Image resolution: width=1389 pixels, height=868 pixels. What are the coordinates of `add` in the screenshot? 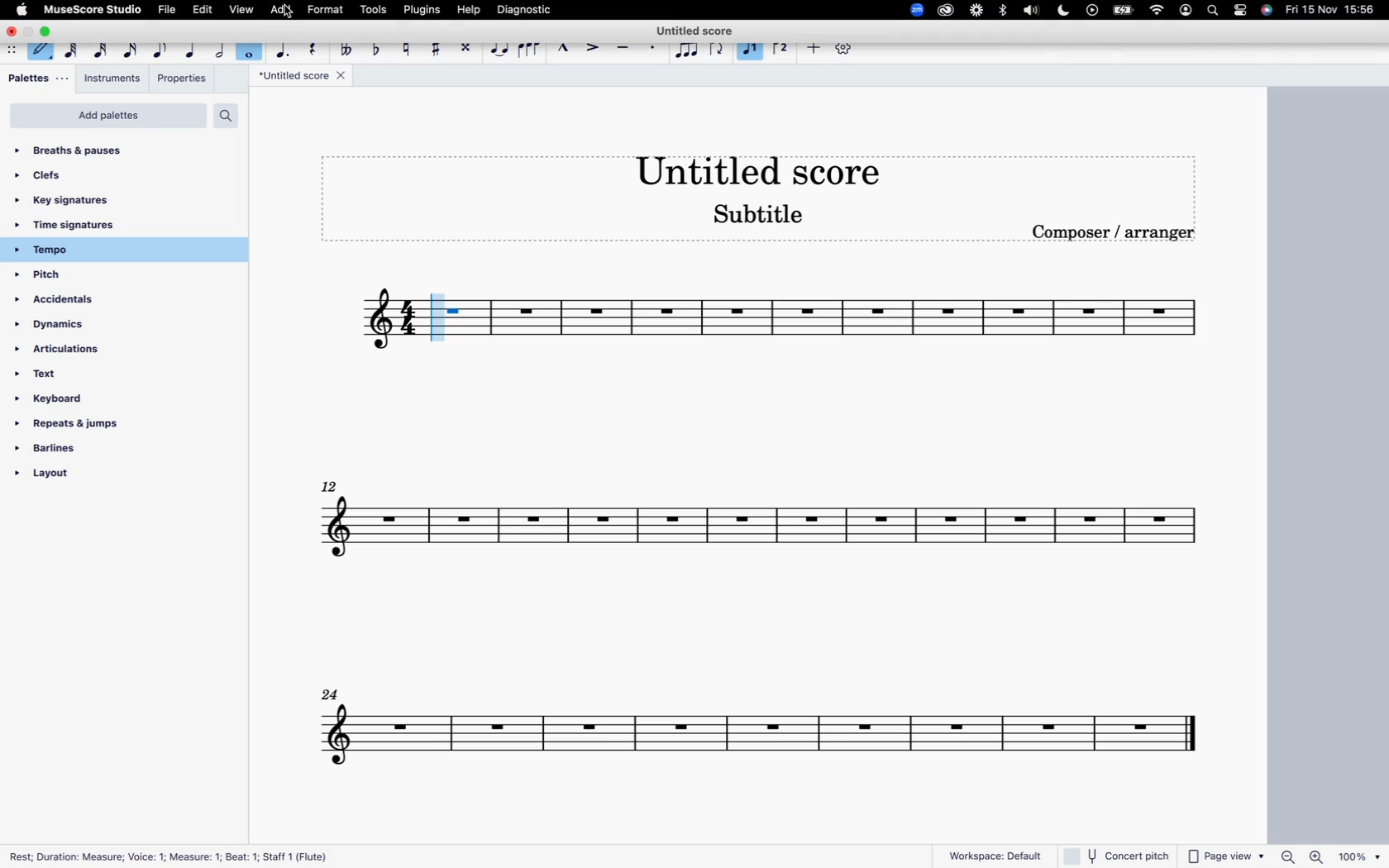 It's located at (277, 9).